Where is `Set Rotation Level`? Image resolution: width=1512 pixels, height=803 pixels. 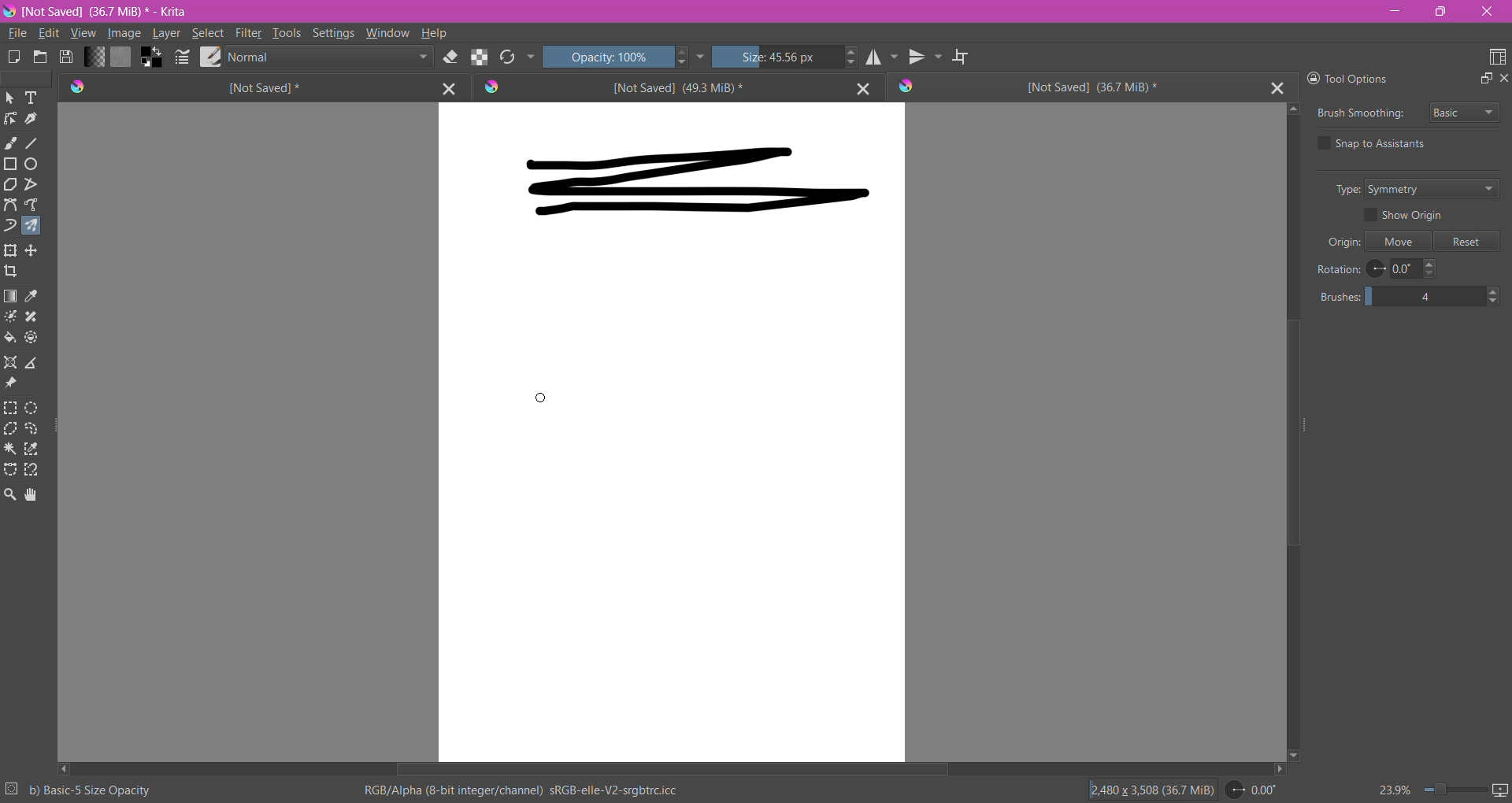
Set Rotation Level is located at coordinates (1408, 271).